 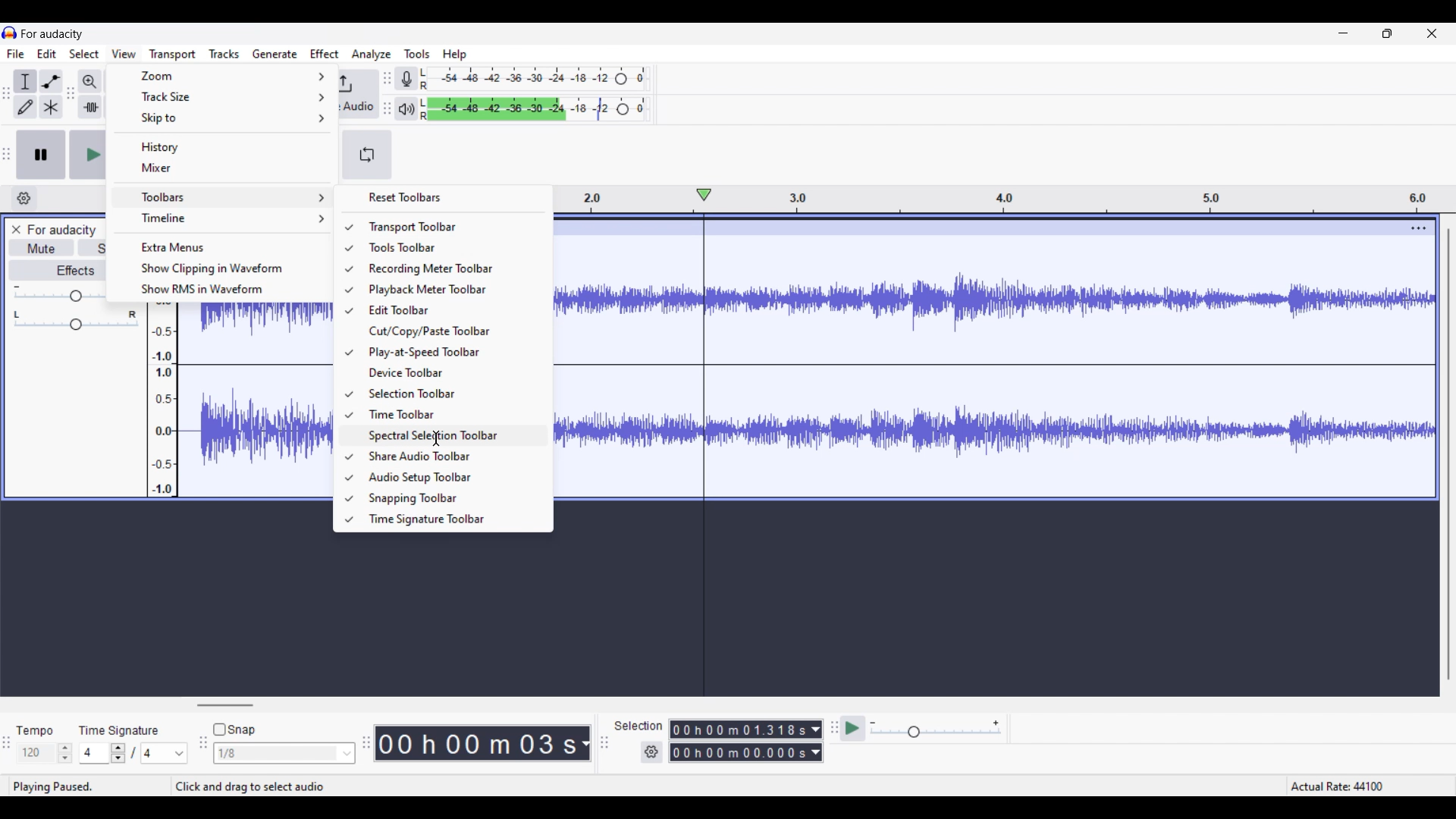 I want to click on Tools toolbar, so click(x=448, y=247).